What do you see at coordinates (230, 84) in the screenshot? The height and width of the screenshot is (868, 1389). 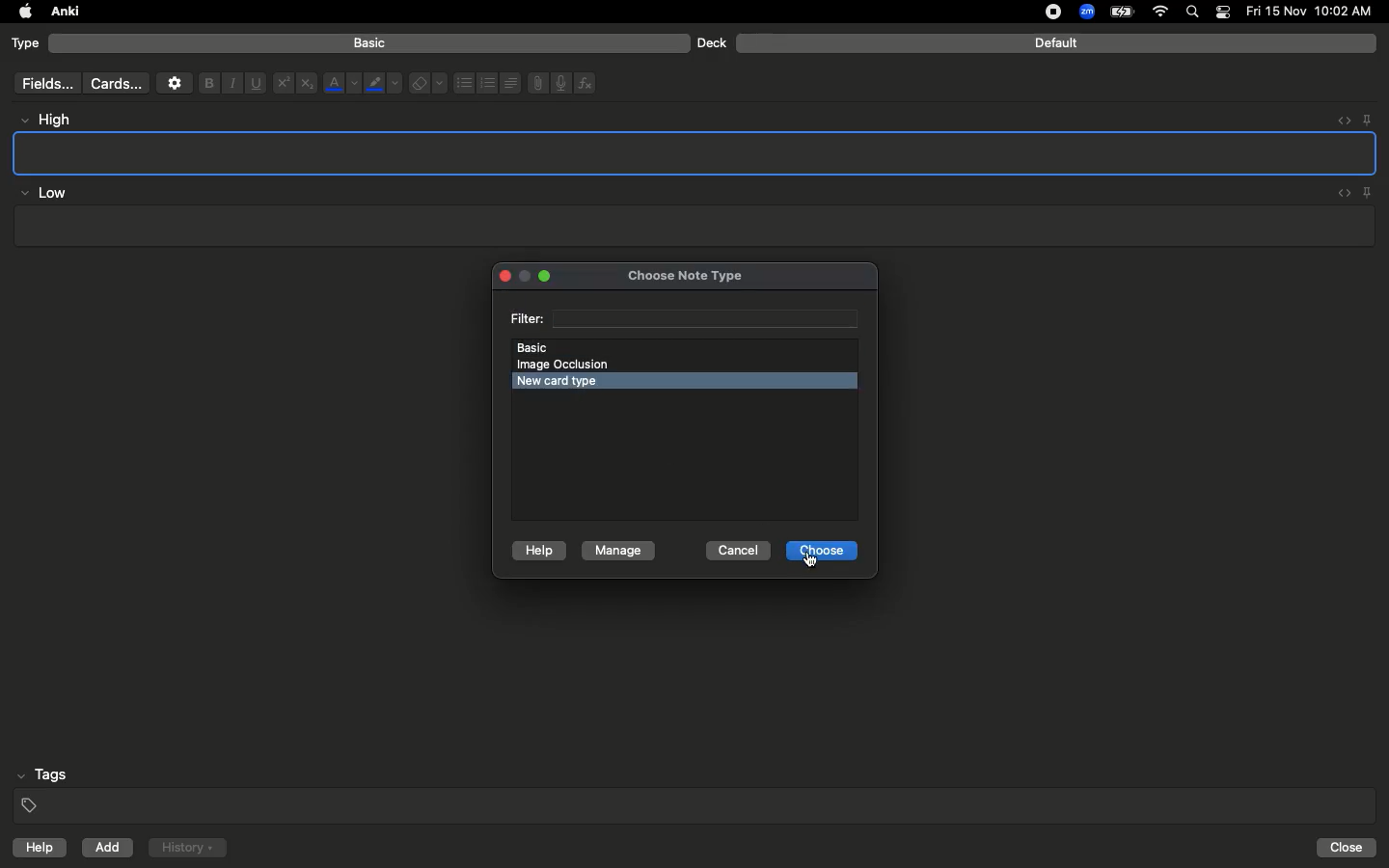 I see `Italics` at bounding box center [230, 84].